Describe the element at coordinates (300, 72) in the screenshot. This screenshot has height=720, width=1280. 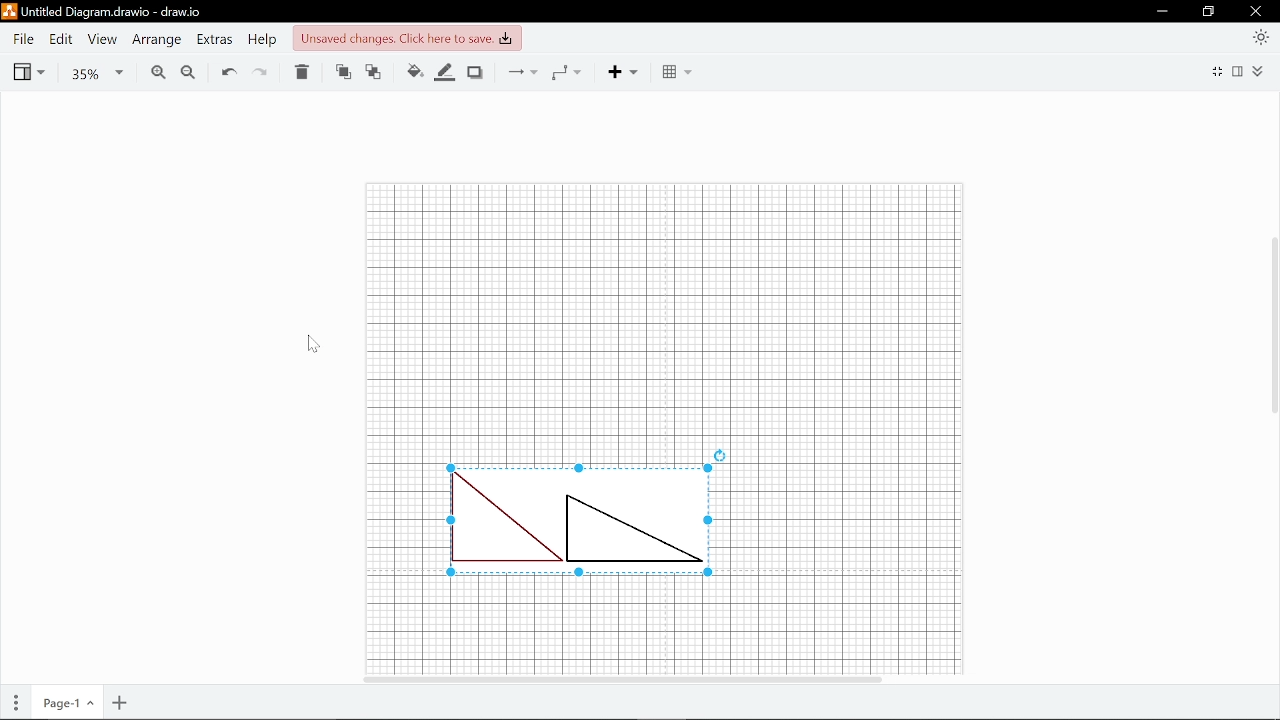
I see `delete` at that location.